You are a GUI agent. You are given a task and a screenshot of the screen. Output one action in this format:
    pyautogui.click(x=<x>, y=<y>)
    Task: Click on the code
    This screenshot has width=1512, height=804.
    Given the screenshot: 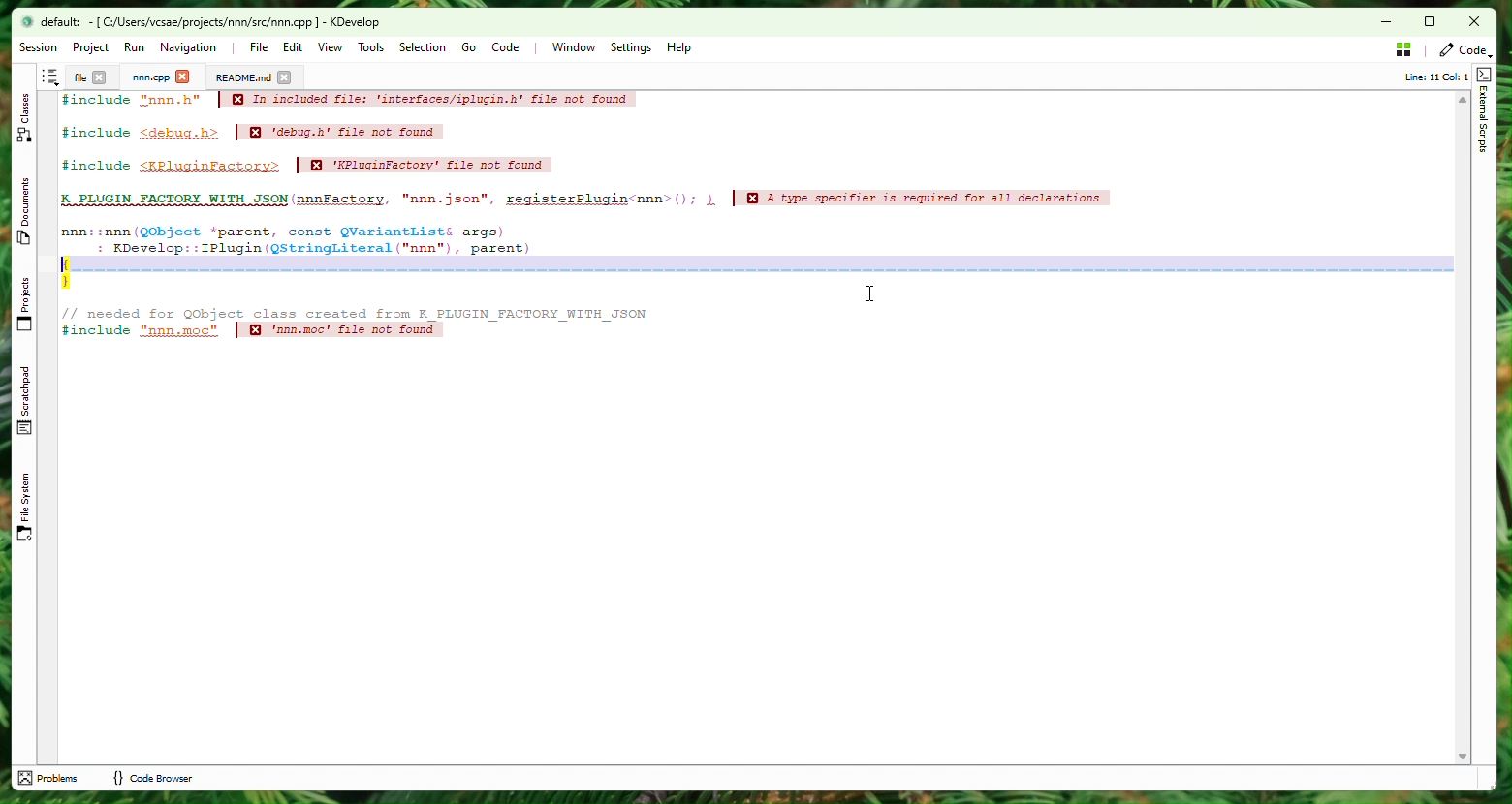 What is the action you would take?
    pyautogui.click(x=362, y=328)
    